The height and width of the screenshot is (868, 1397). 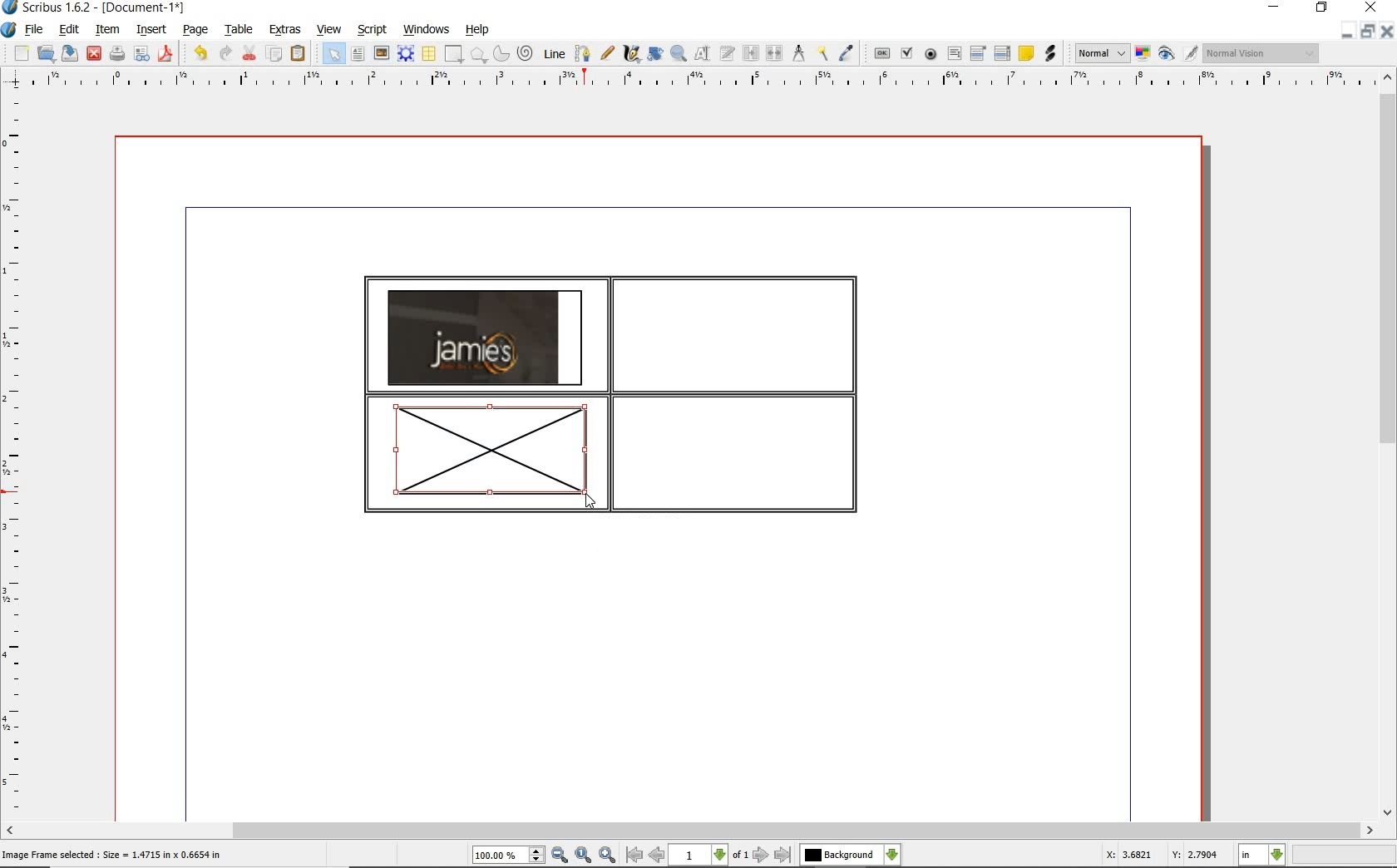 I want to click on freehand line, so click(x=609, y=54).